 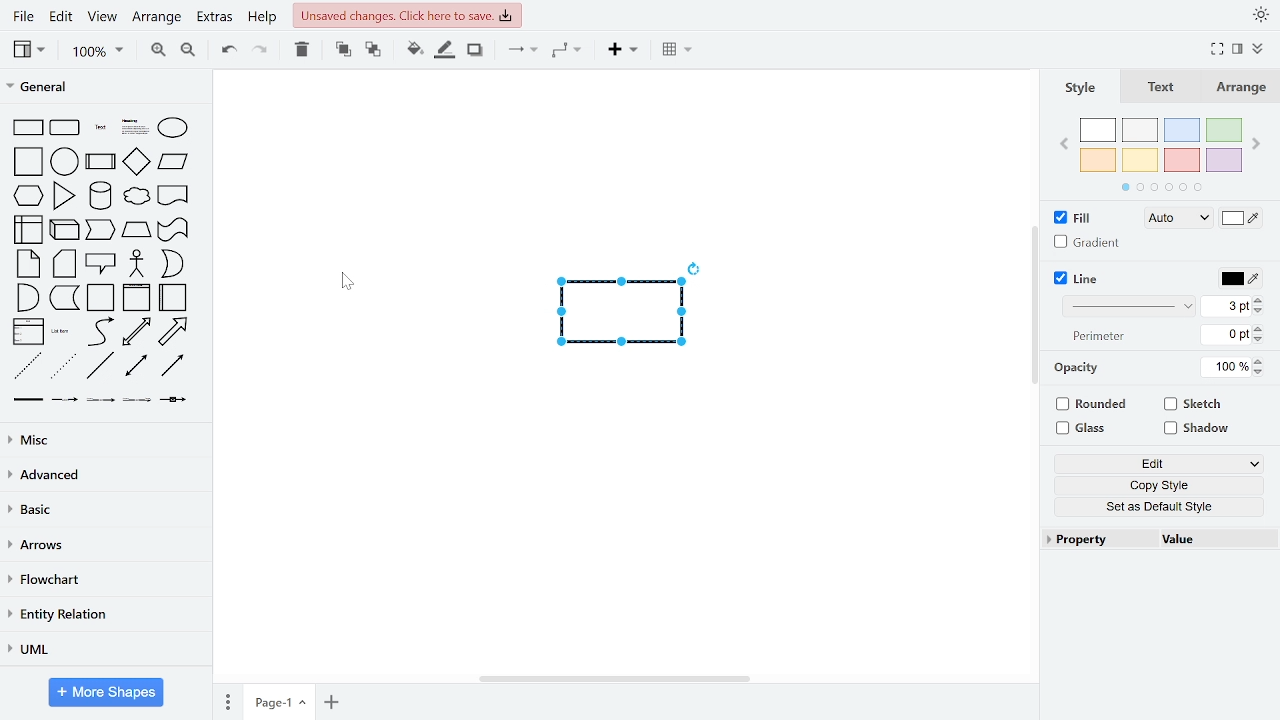 What do you see at coordinates (136, 161) in the screenshot?
I see `general shapes` at bounding box center [136, 161].